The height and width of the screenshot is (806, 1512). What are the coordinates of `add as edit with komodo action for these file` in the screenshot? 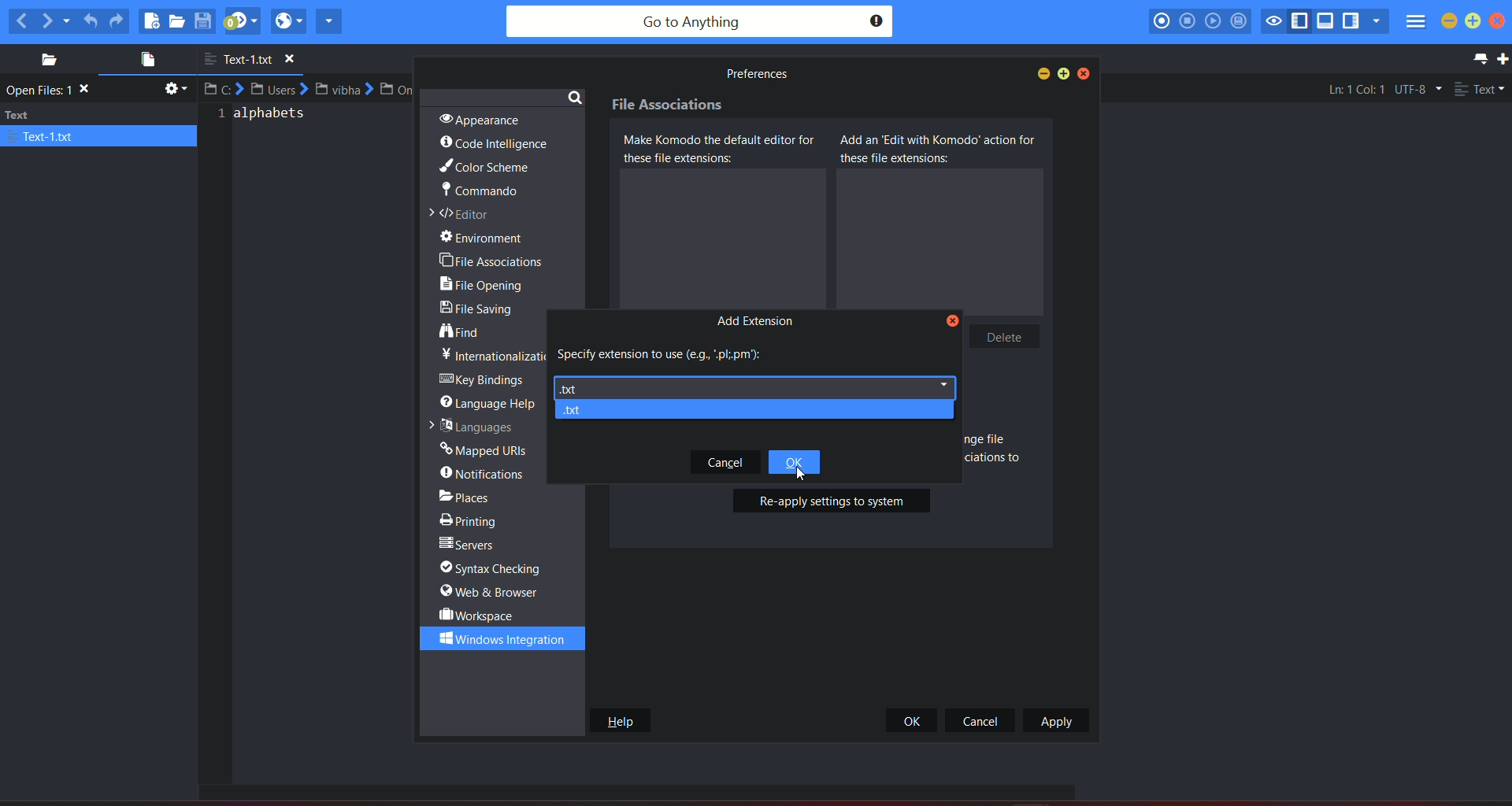 It's located at (939, 149).